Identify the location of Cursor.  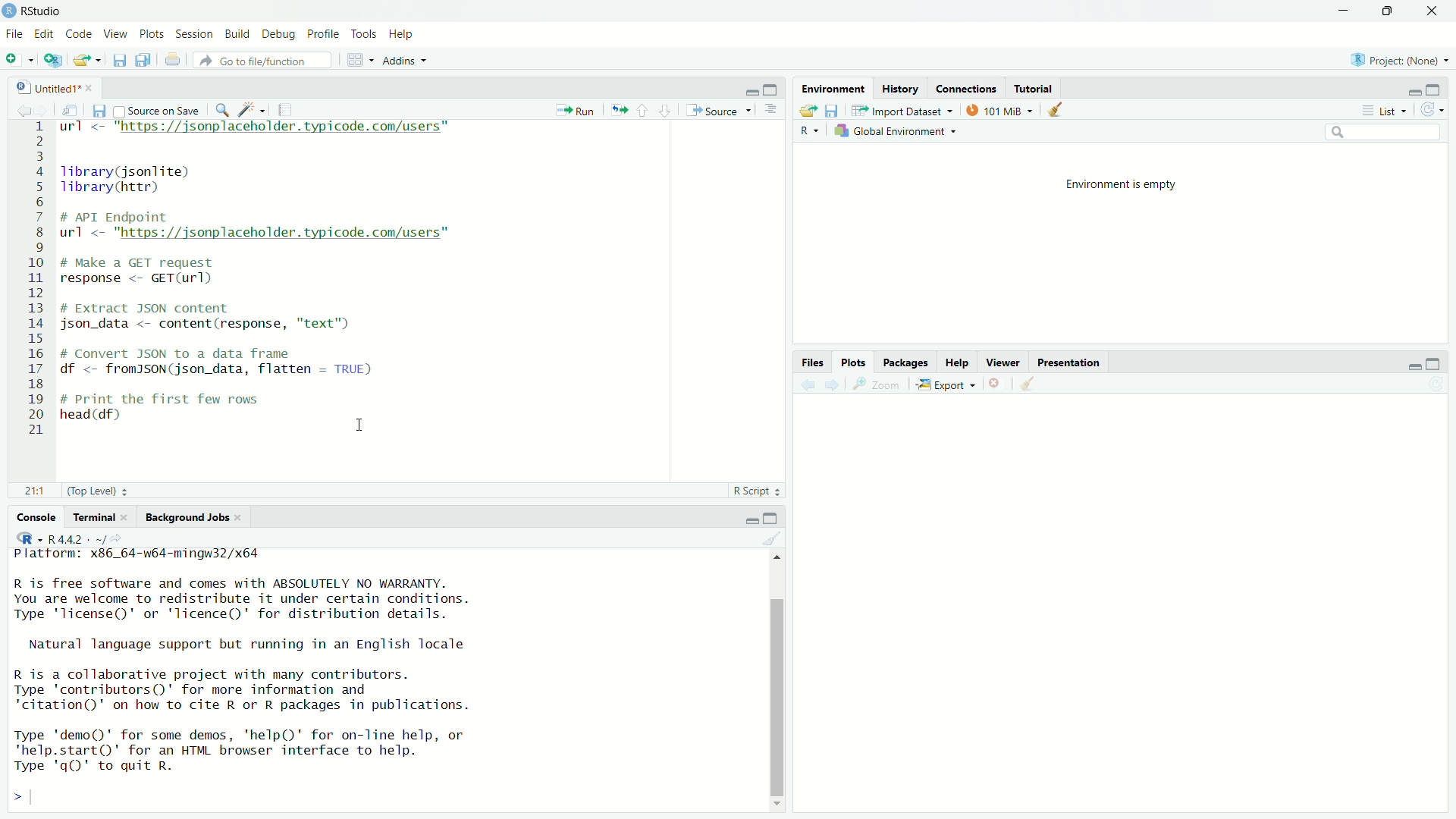
(362, 424).